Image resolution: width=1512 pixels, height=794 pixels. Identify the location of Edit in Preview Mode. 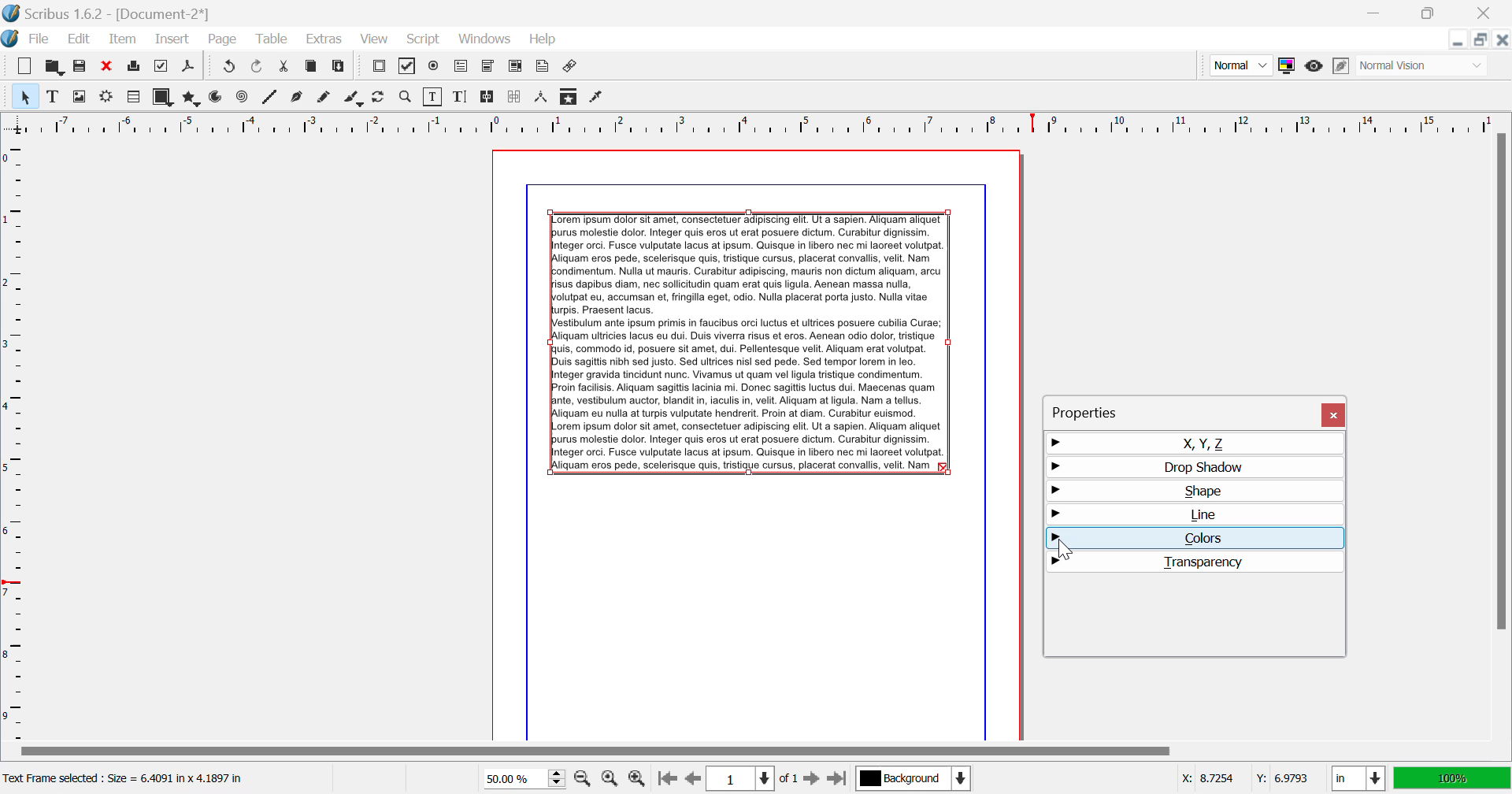
(1343, 66).